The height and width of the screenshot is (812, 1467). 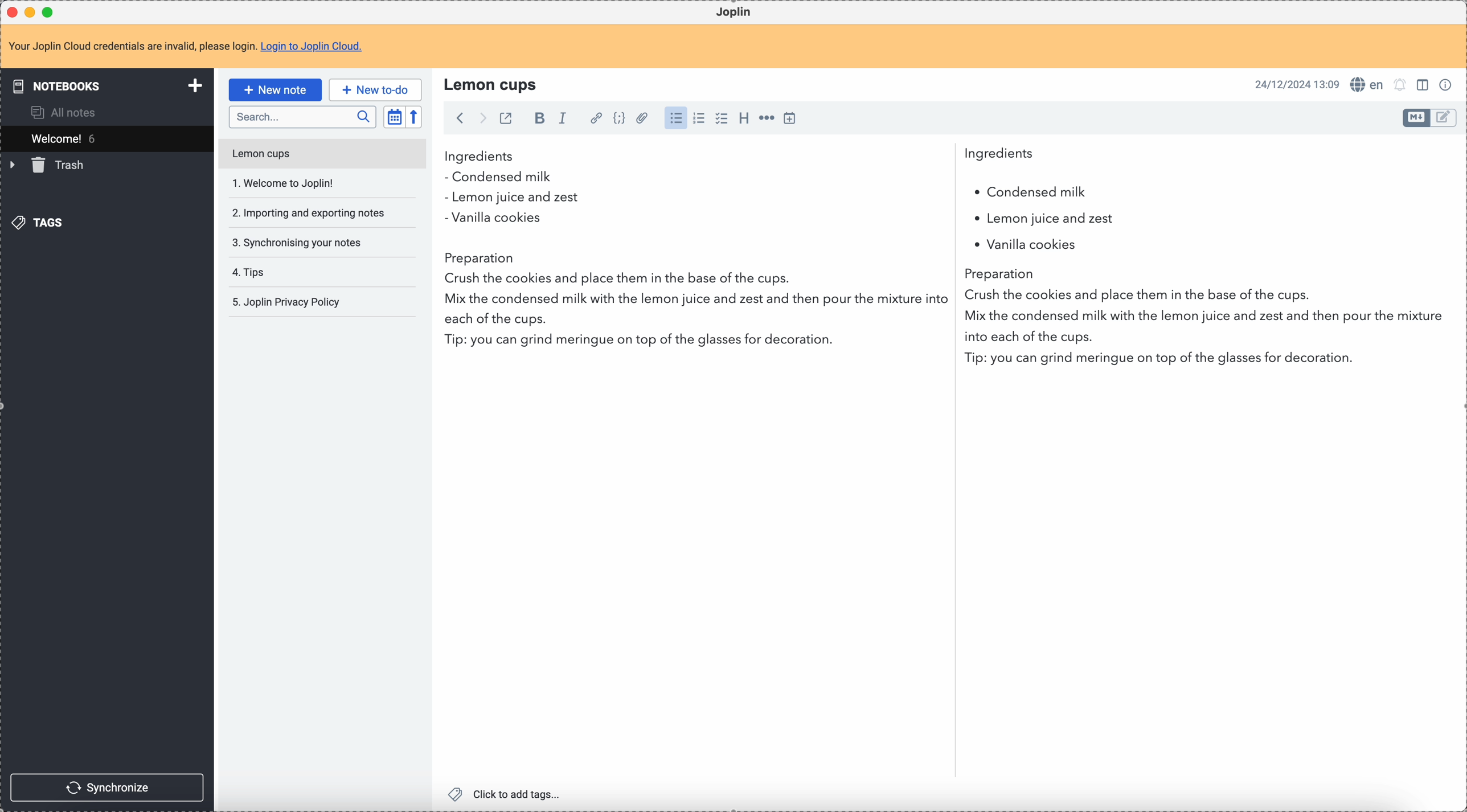 I want to click on toggle sort order field, so click(x=394, y=117).